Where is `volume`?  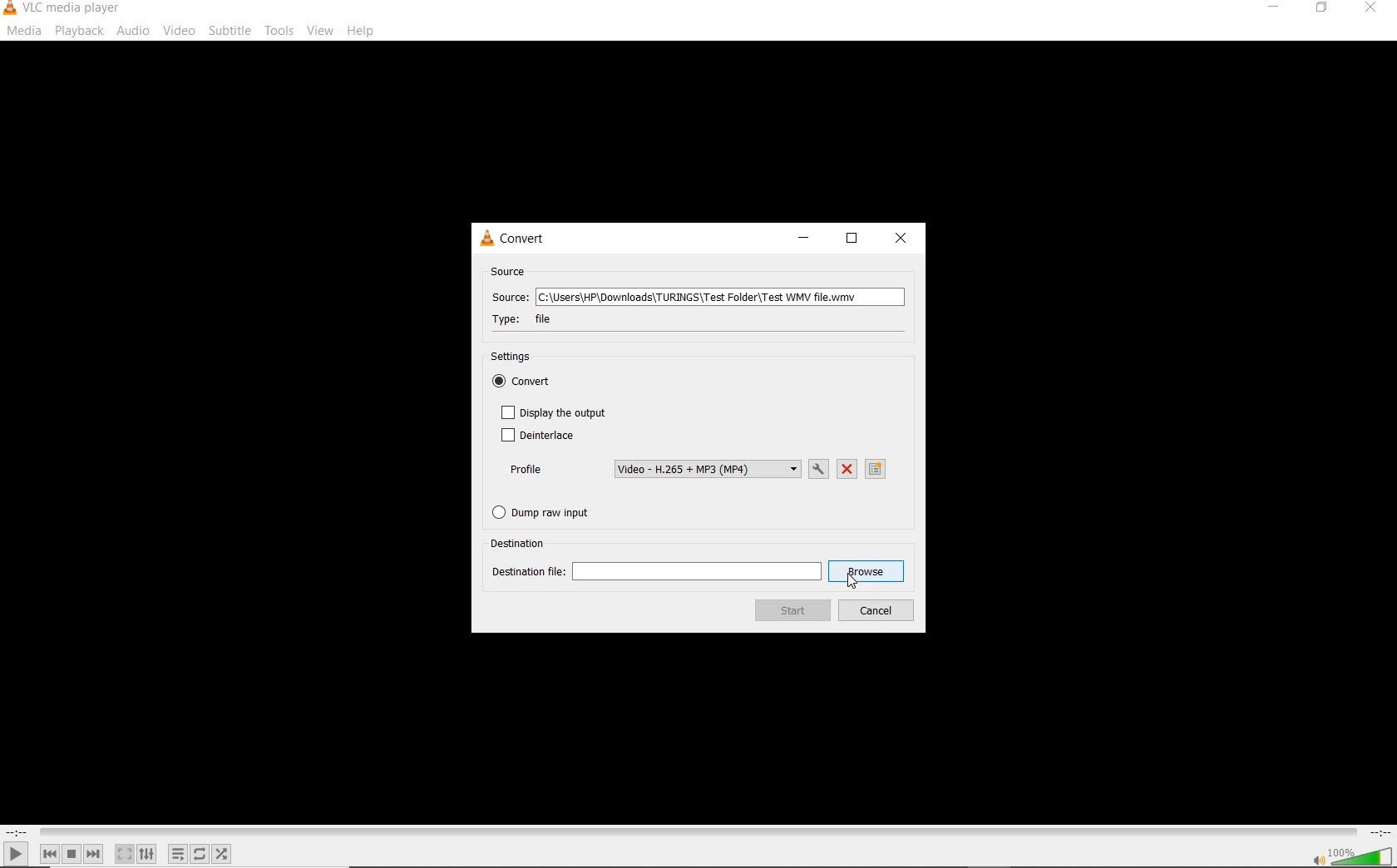
volume is located at coordinates (1362, 855).